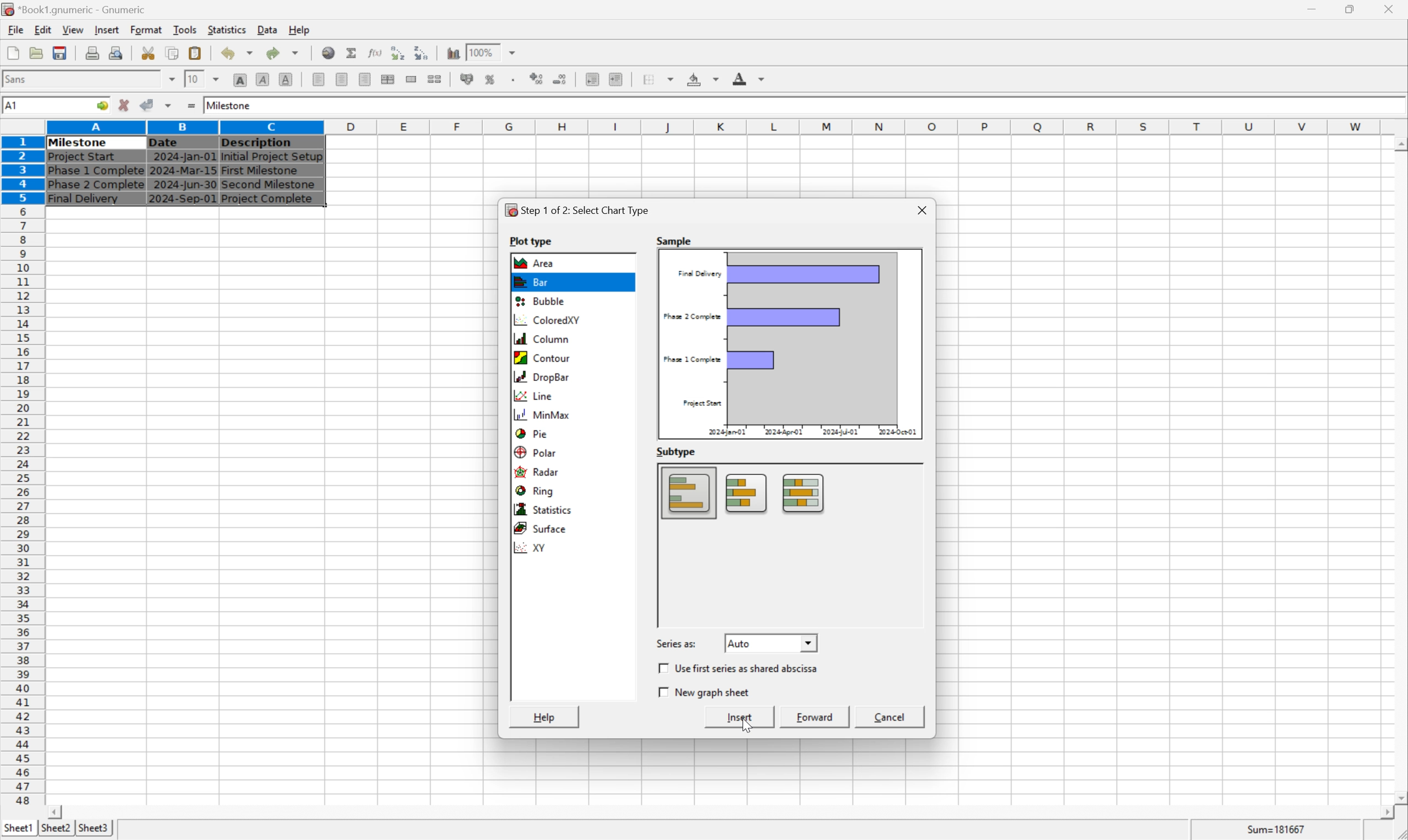  What do you see at coordinates (542, 378) in the screenshot?
I see `deepbar` at bounding box center [542, 378].